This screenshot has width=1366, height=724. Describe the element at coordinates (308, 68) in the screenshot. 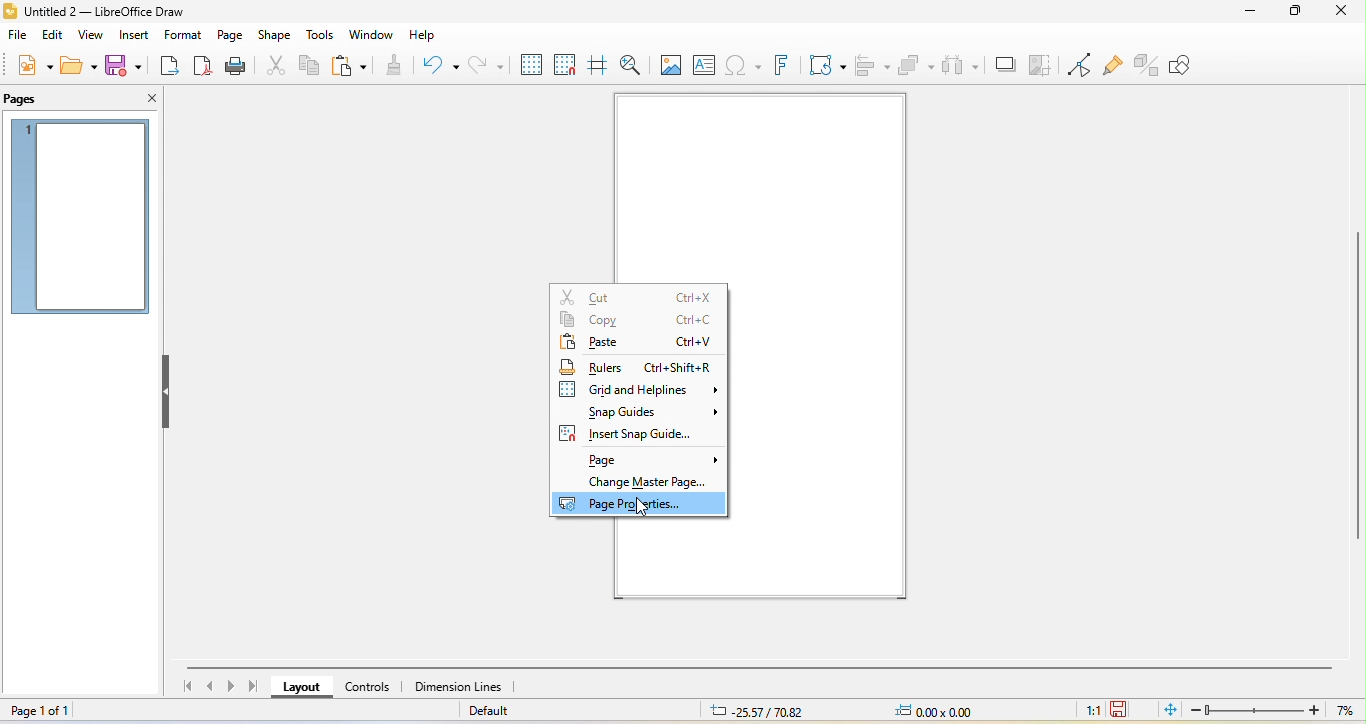

I see `copy` at that location.